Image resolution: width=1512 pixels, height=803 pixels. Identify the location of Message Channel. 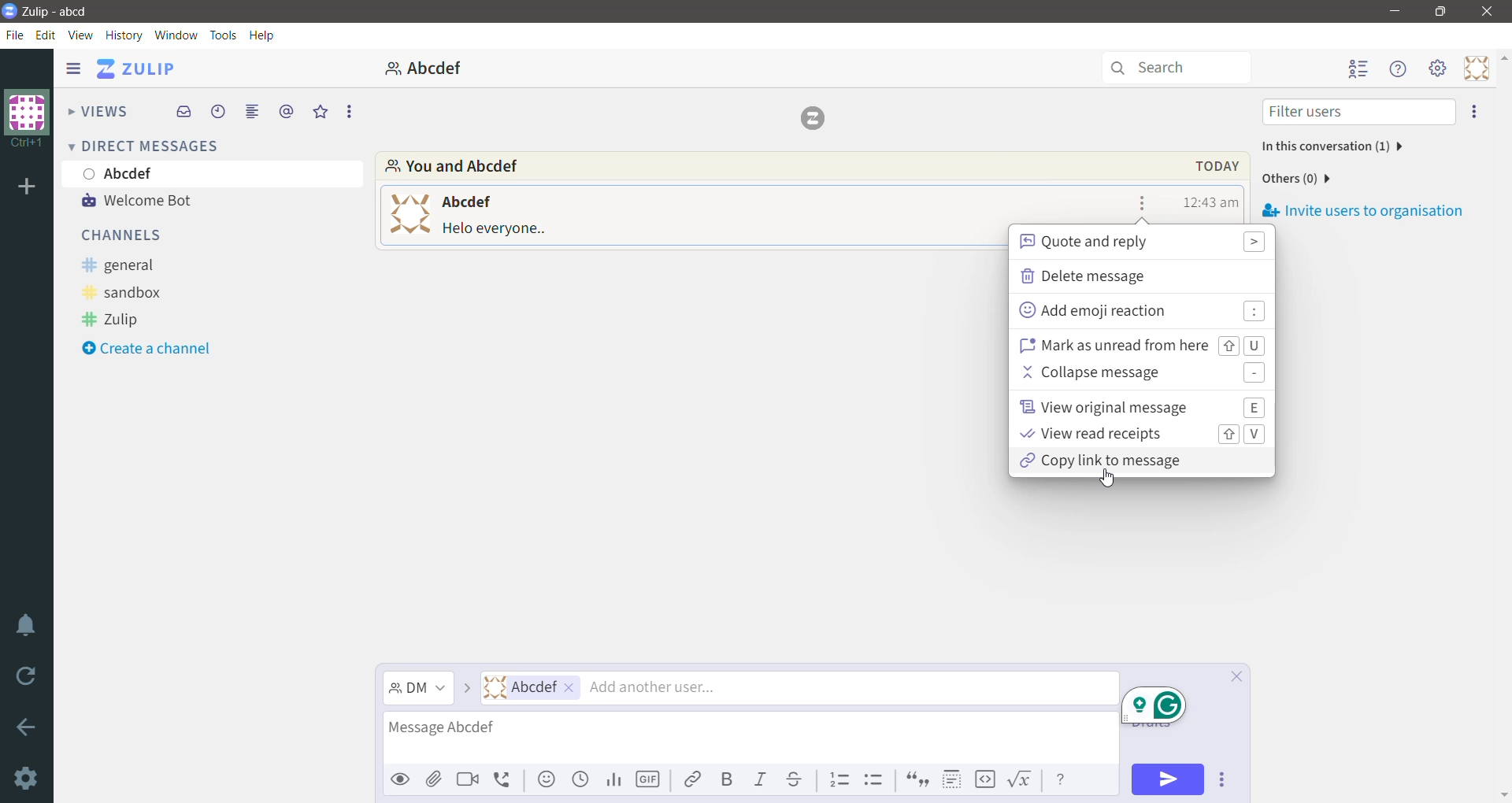
(418, 689).